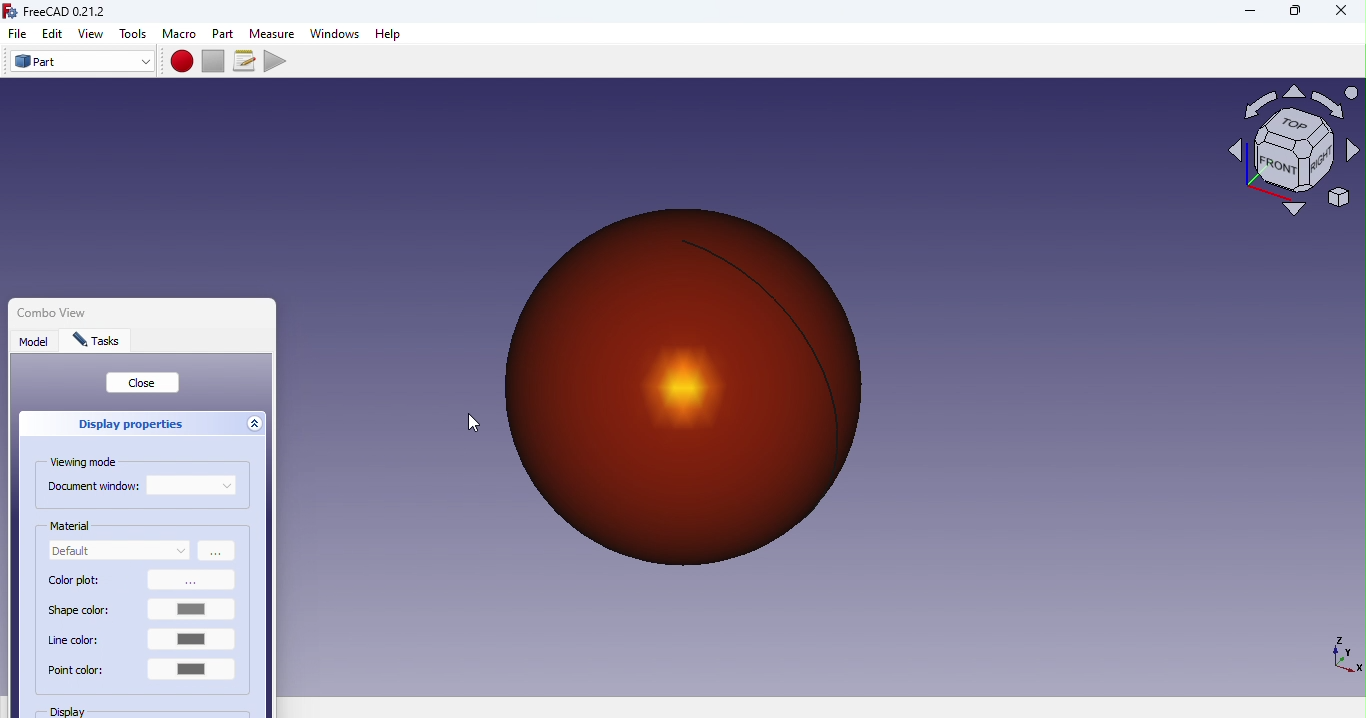 The width and height of the screenshot is (1366, 718). What do you see at coordinates (1295, 13) in the screenshot?
I see `Maximize` at bounding box center [1295, 13].